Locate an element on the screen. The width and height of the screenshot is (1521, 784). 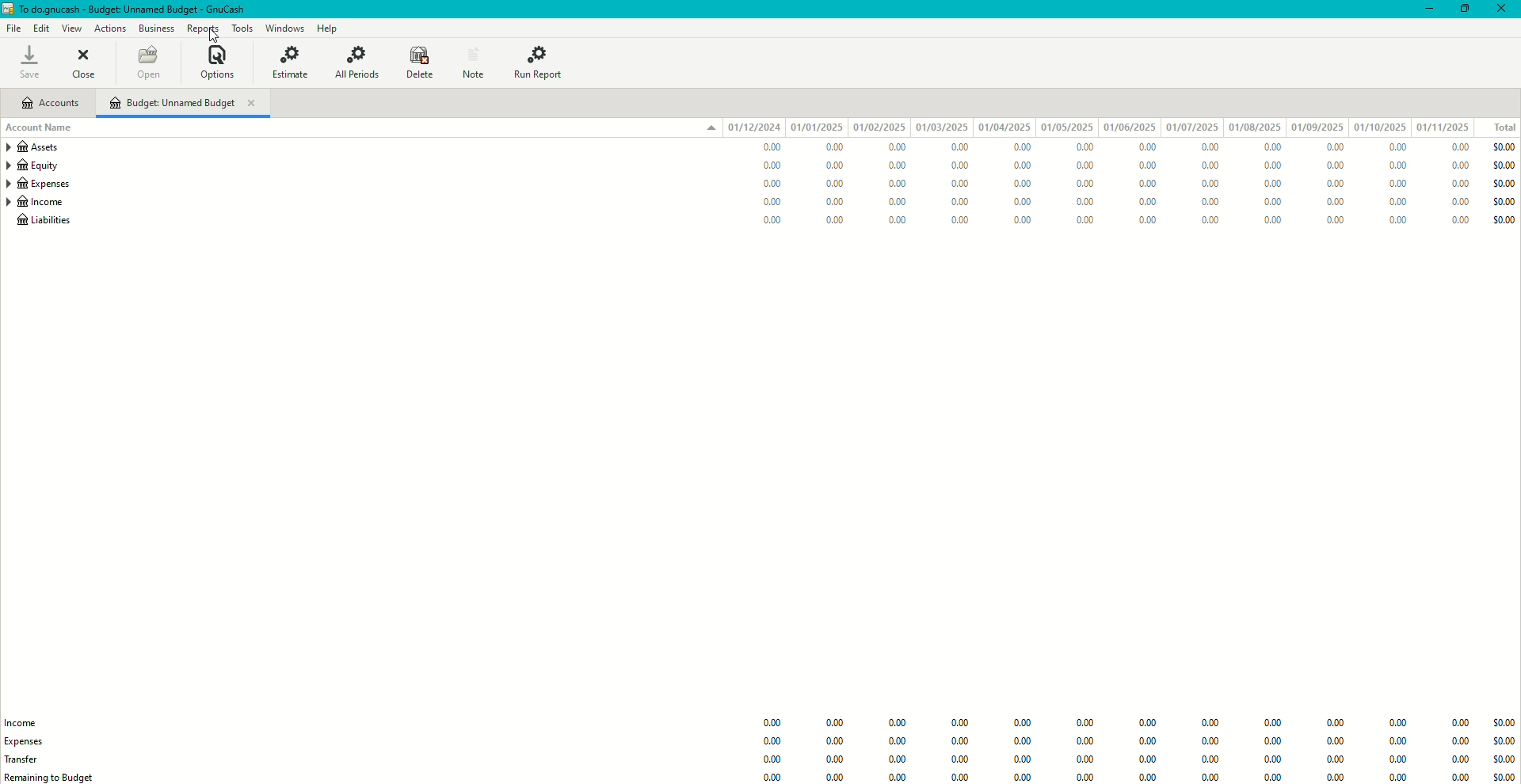
0.00 is located at coordinates (1398, 183).